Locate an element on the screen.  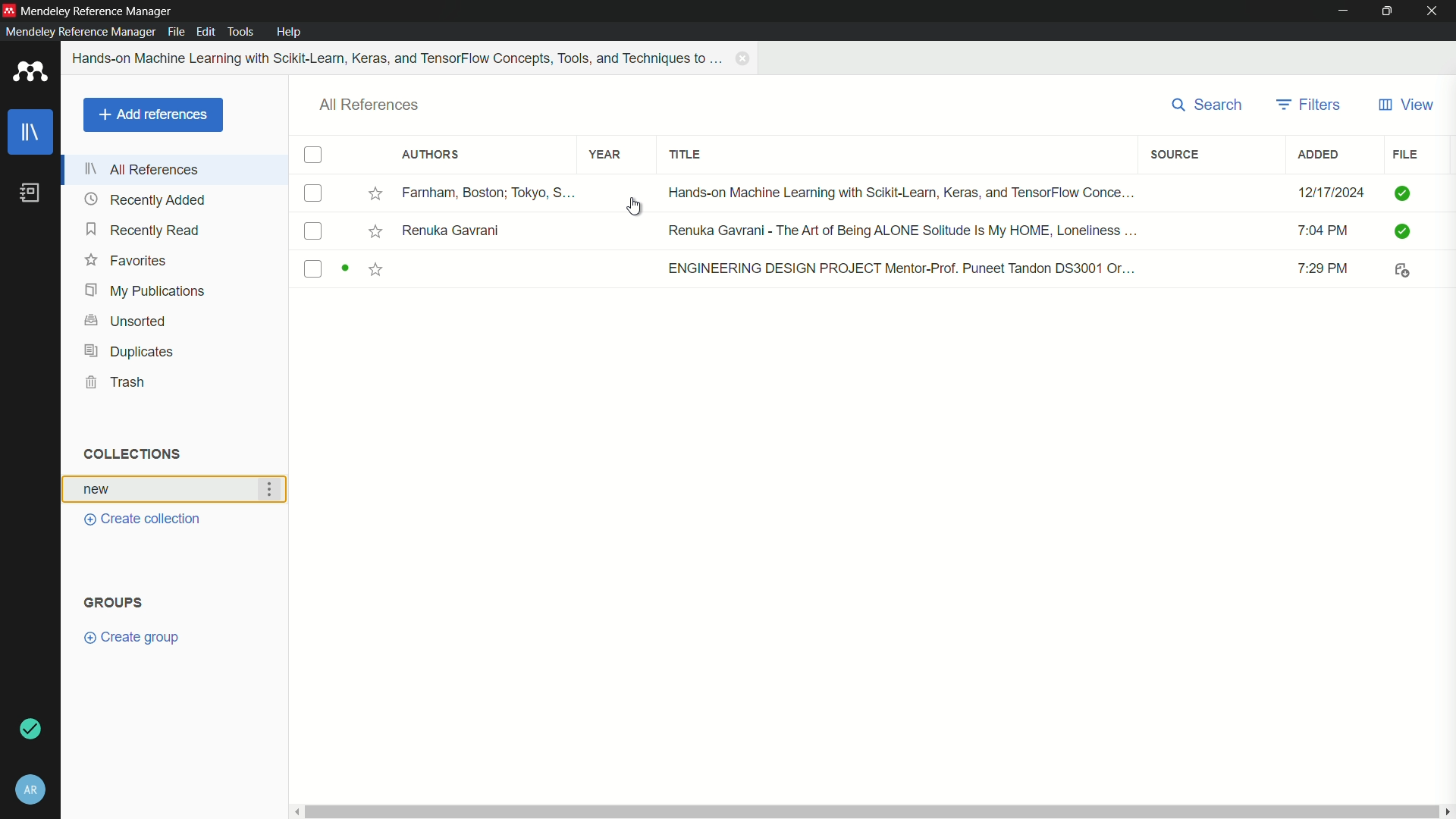
app icon is located at coordinates (9, 11).